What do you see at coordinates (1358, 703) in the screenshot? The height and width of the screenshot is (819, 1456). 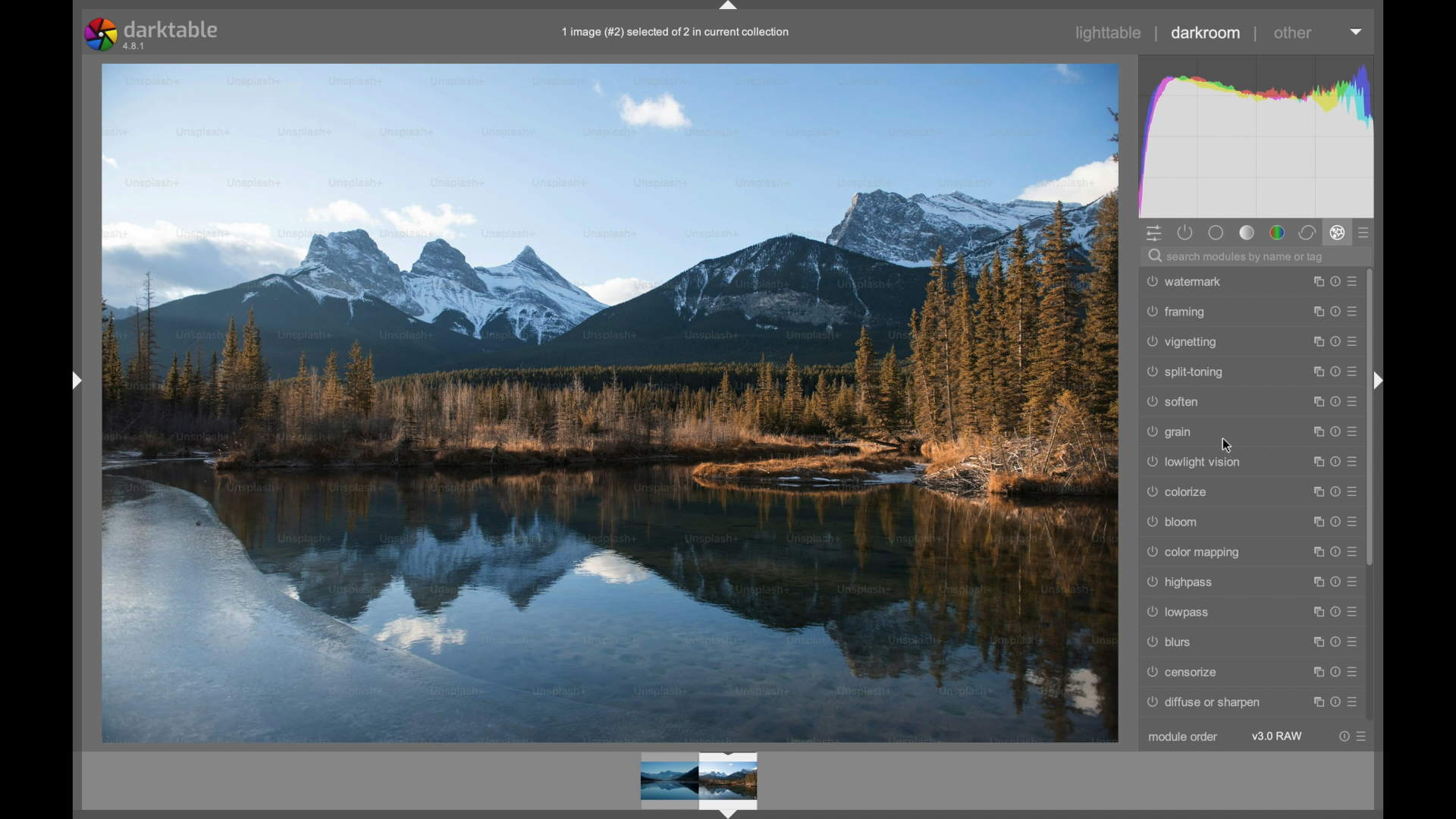 I see `presets` at bounding box center [1358, 703].